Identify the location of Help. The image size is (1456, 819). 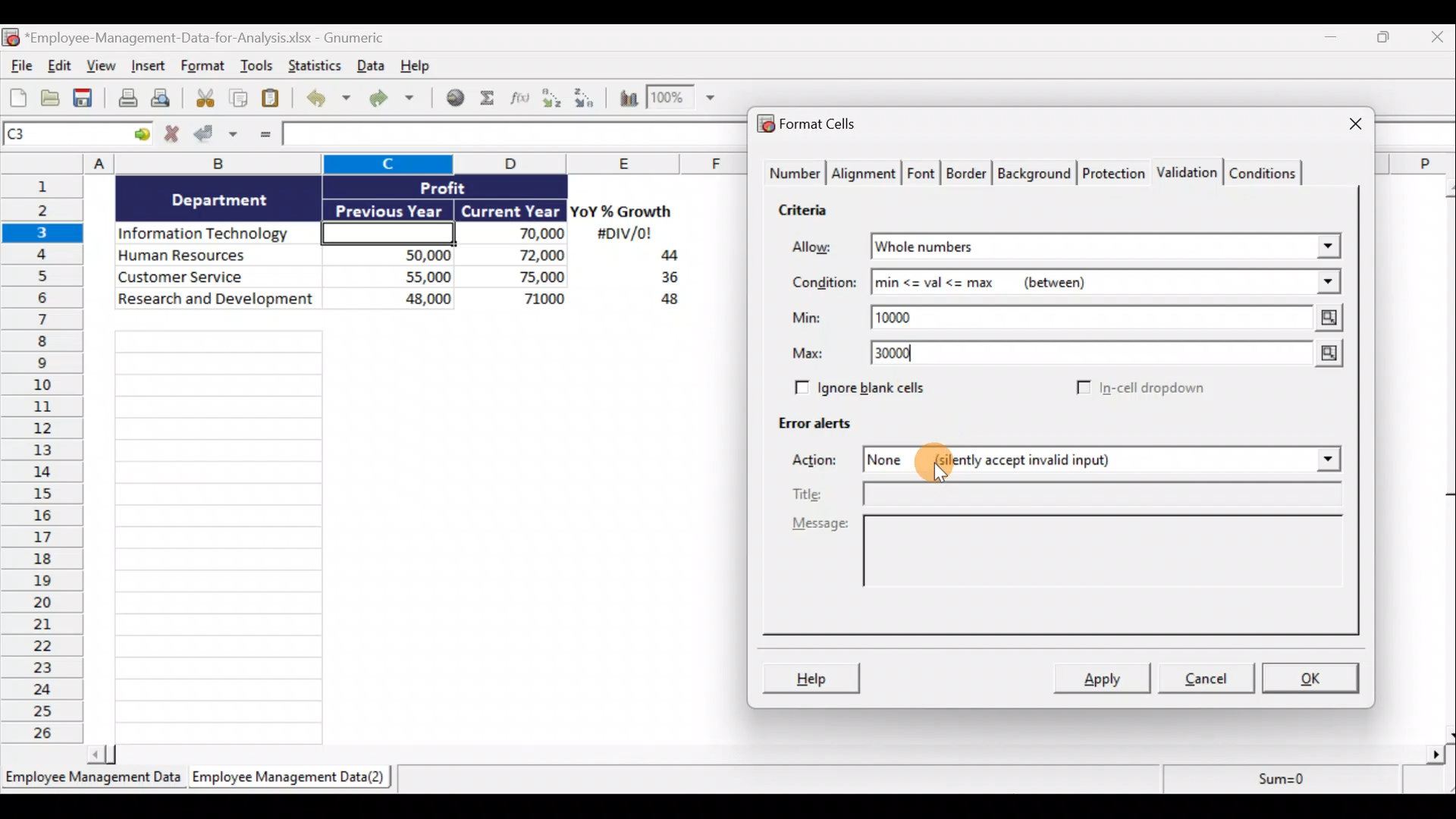
(420, 64).